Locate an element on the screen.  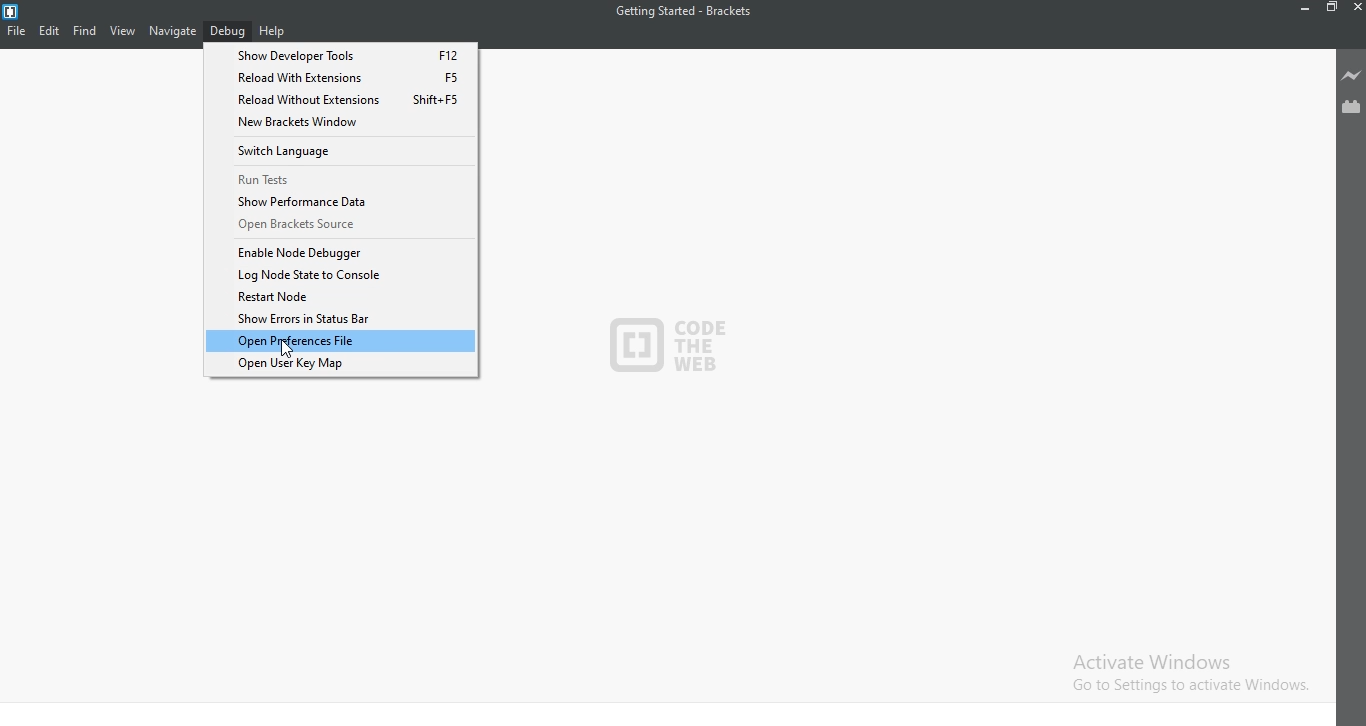
reload with extensions is located at coordinates (342, 76).